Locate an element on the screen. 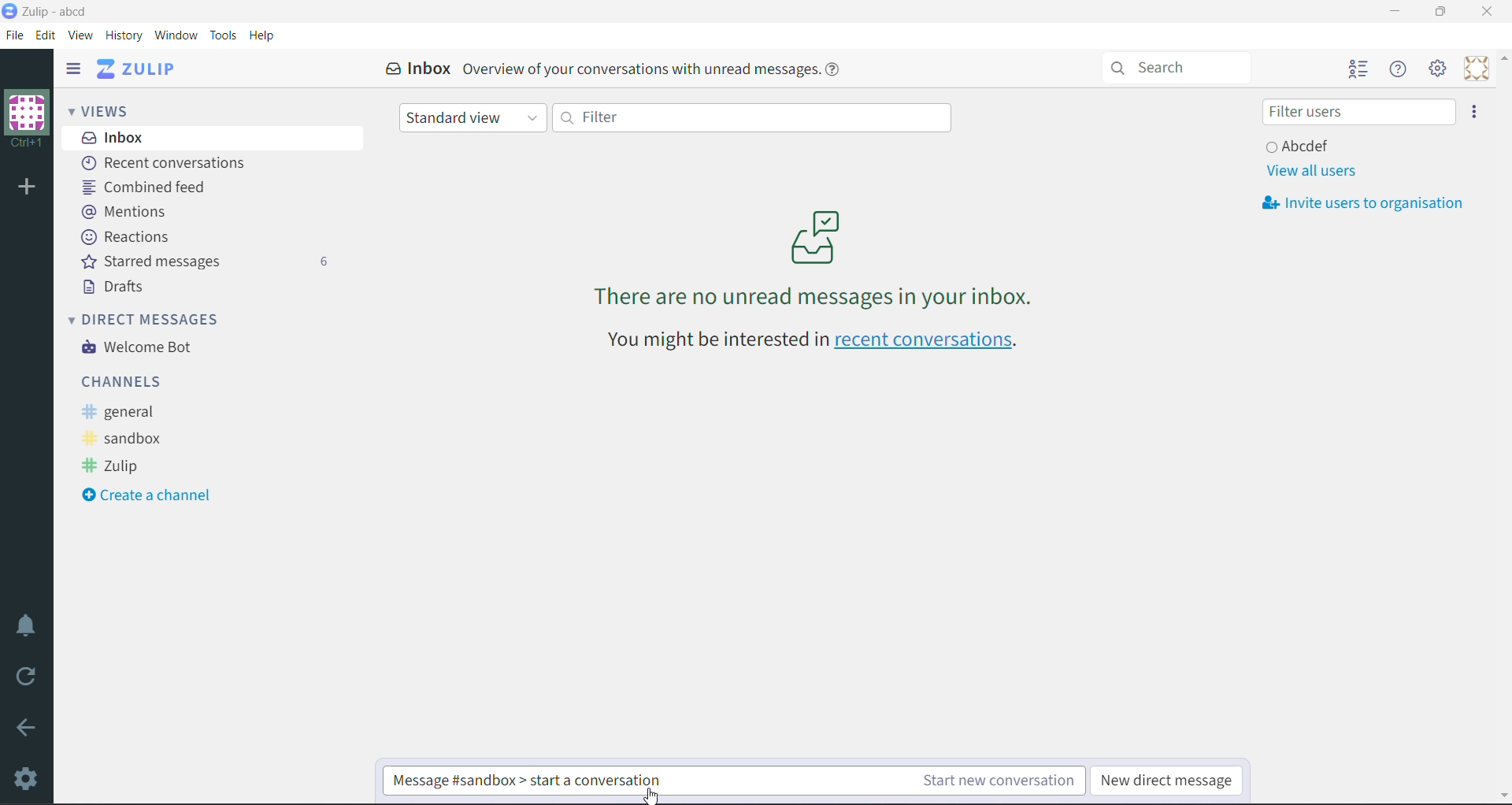 Image resolution: width=1512 pixels, height=805 pixels. Zulip is located at coordinates (115, 467).